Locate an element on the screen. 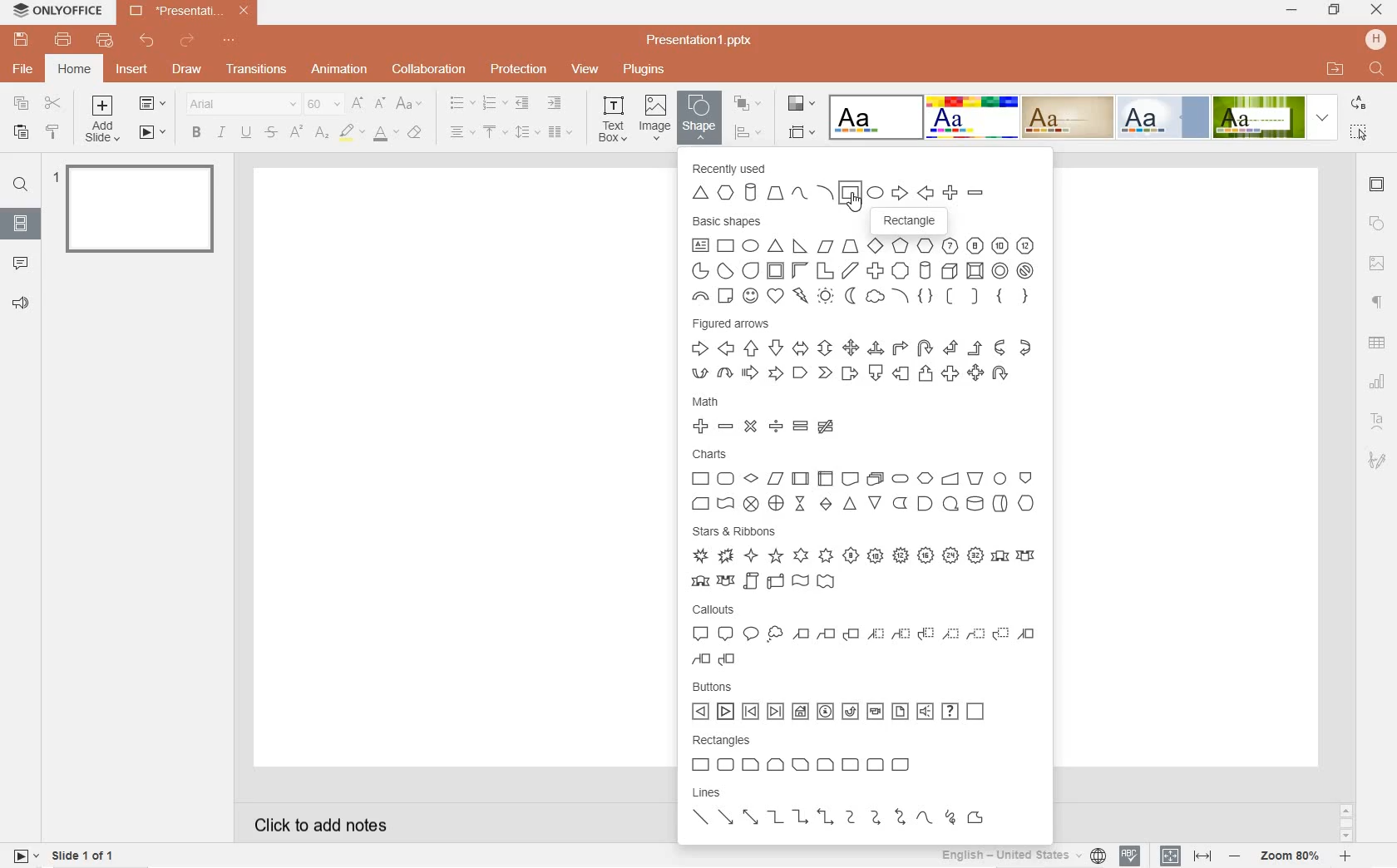 This screenshot has width=1397, height=868. cut is located at coordinates (53, 104).